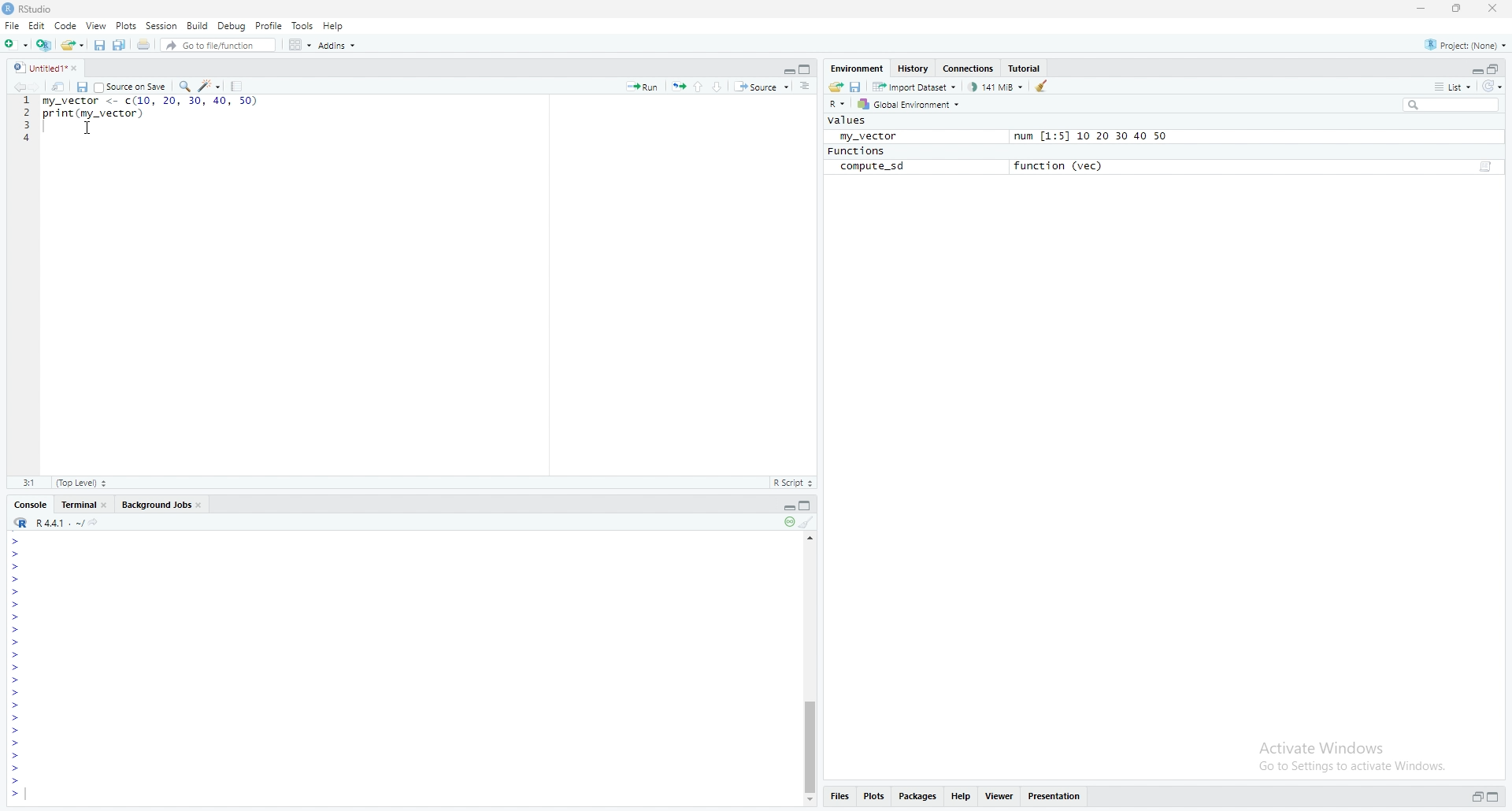 The height and width of the screenshot is (811, 1512). I want to click on Prompt cursor, so click(17, 579).